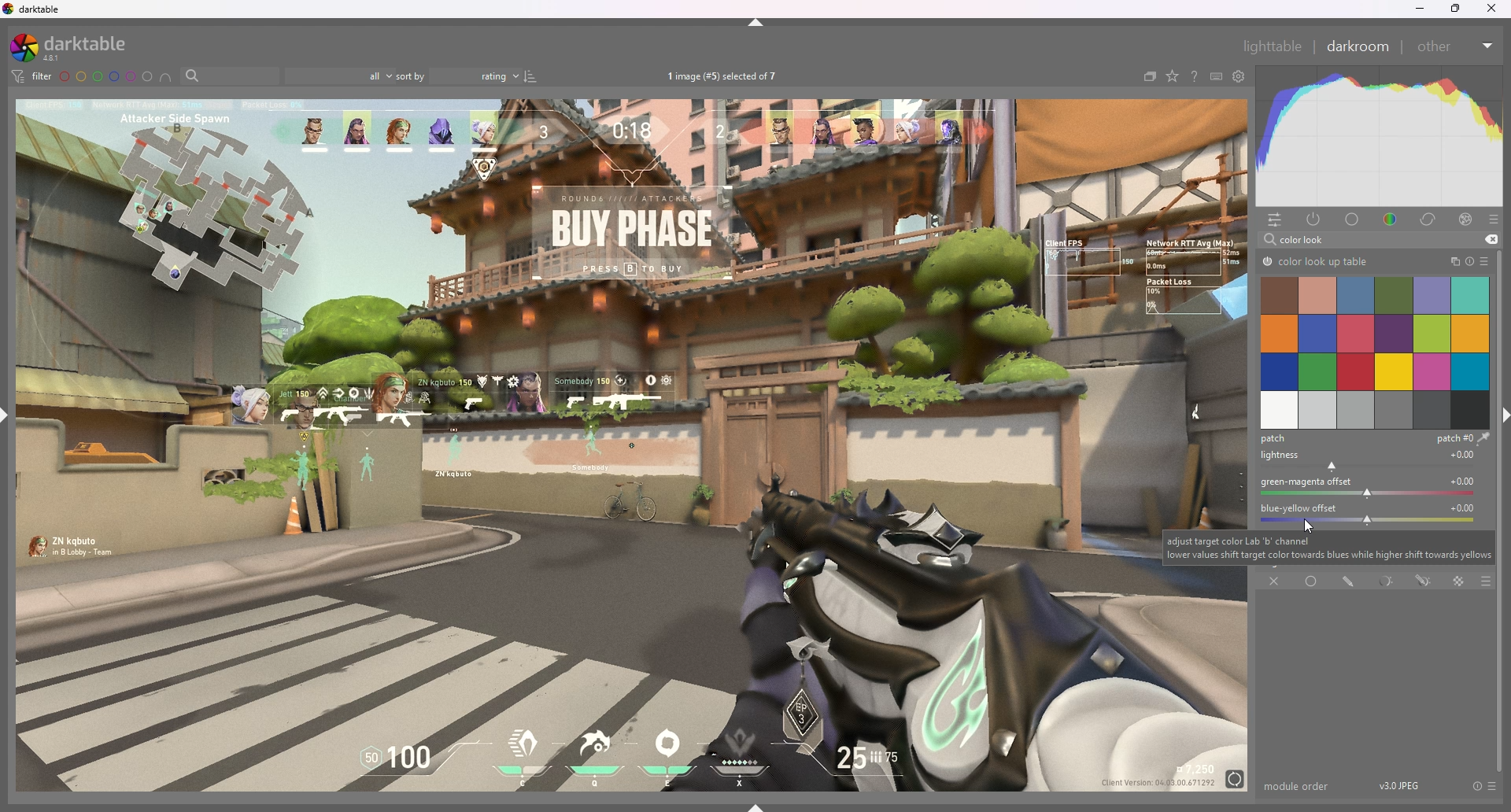 Image resolution: width=1511 pixels, height=812 pixels. What do you see at coordinates (1491, 239) in the screenshot?
I see `remove` at bounding box center [1491, 239].